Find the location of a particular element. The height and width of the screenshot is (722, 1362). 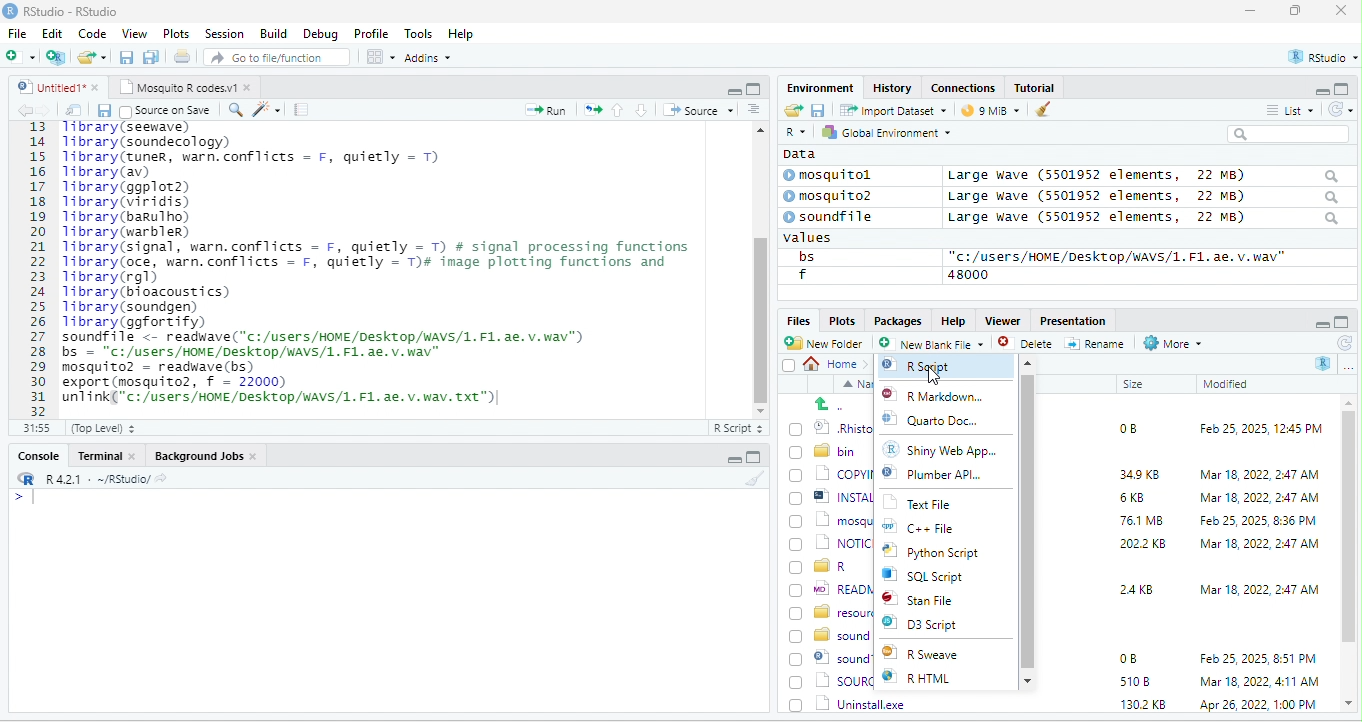

open is located at coordinates (184, 59).